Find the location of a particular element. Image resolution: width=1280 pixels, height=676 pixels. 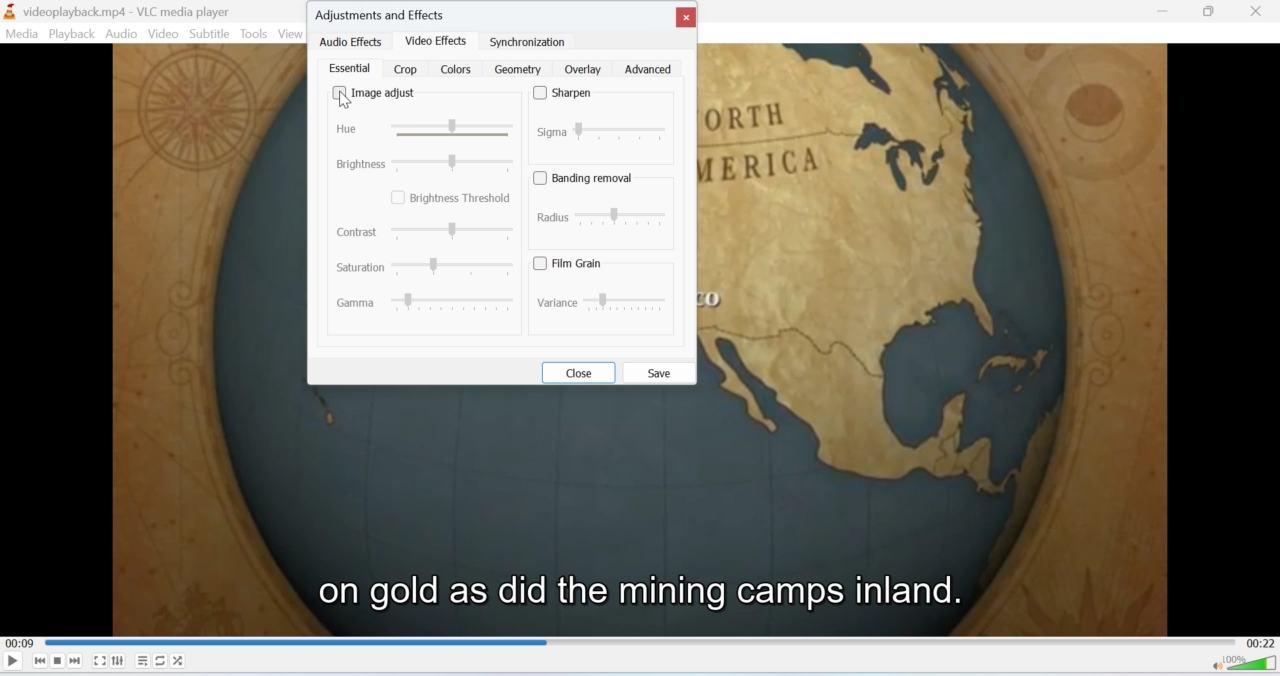

Fullscreen is located at coordinates (100, 661).